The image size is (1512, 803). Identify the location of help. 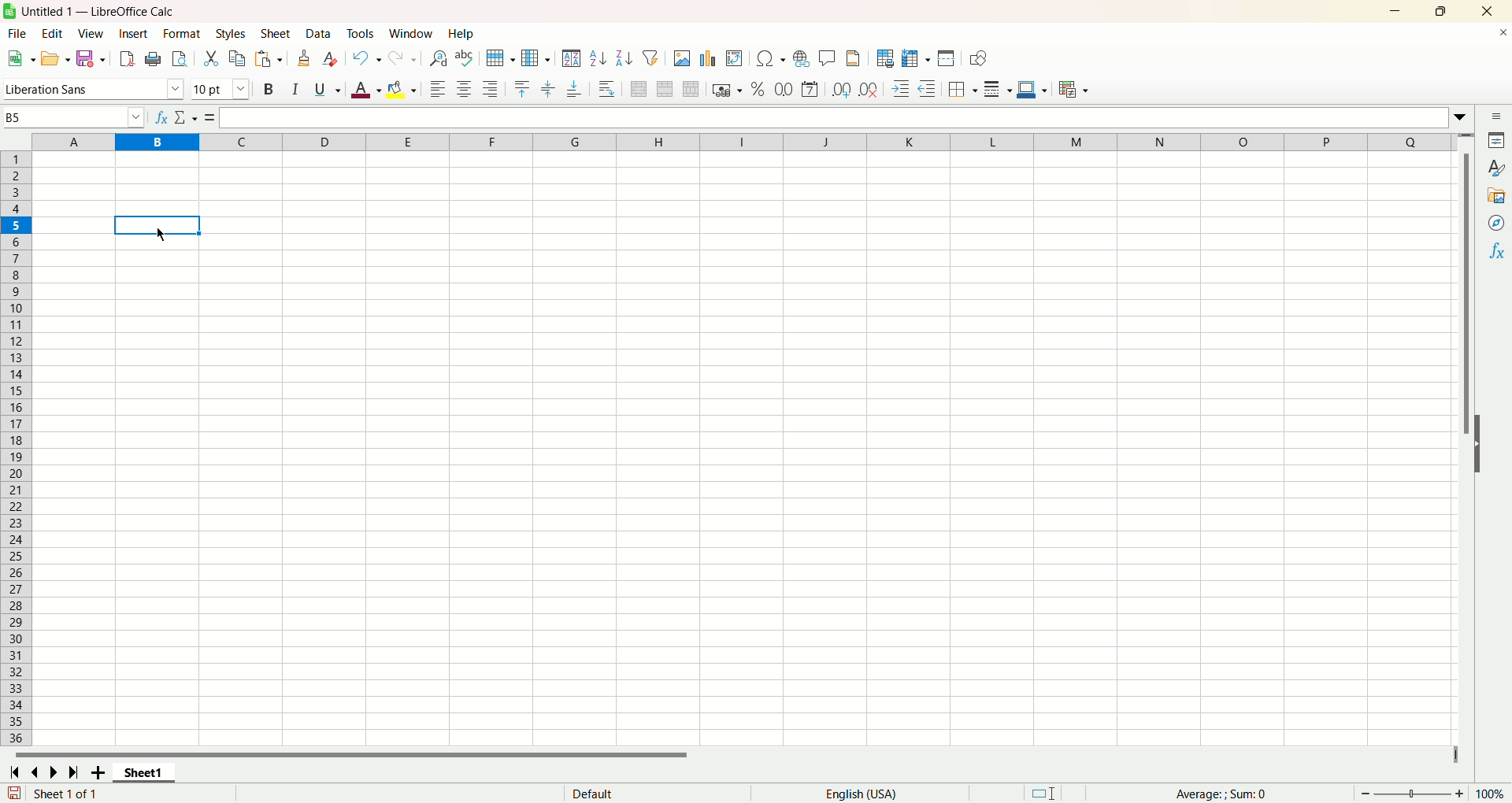
(459, 35).